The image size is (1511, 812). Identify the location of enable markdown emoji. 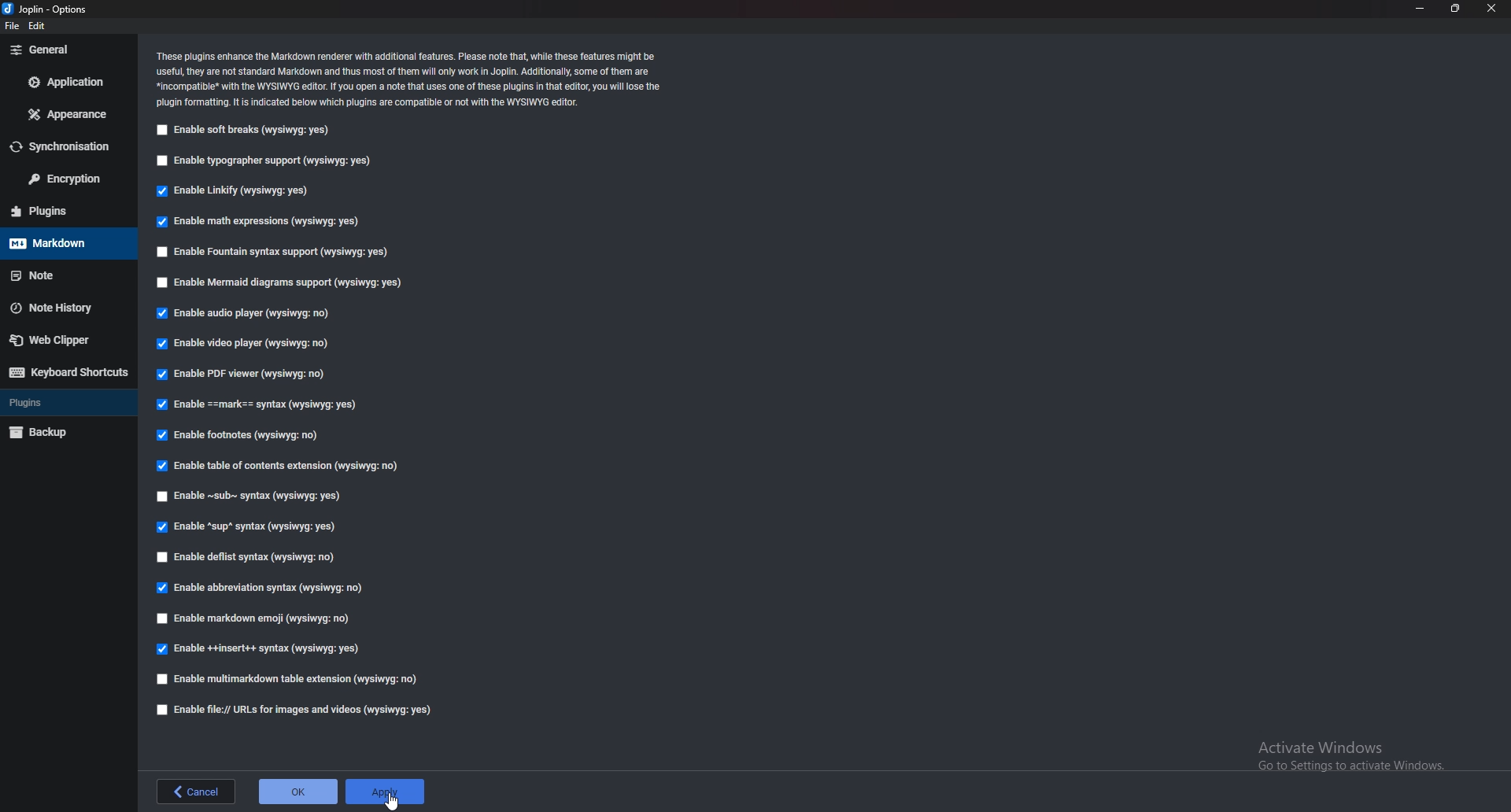
(258, 620).